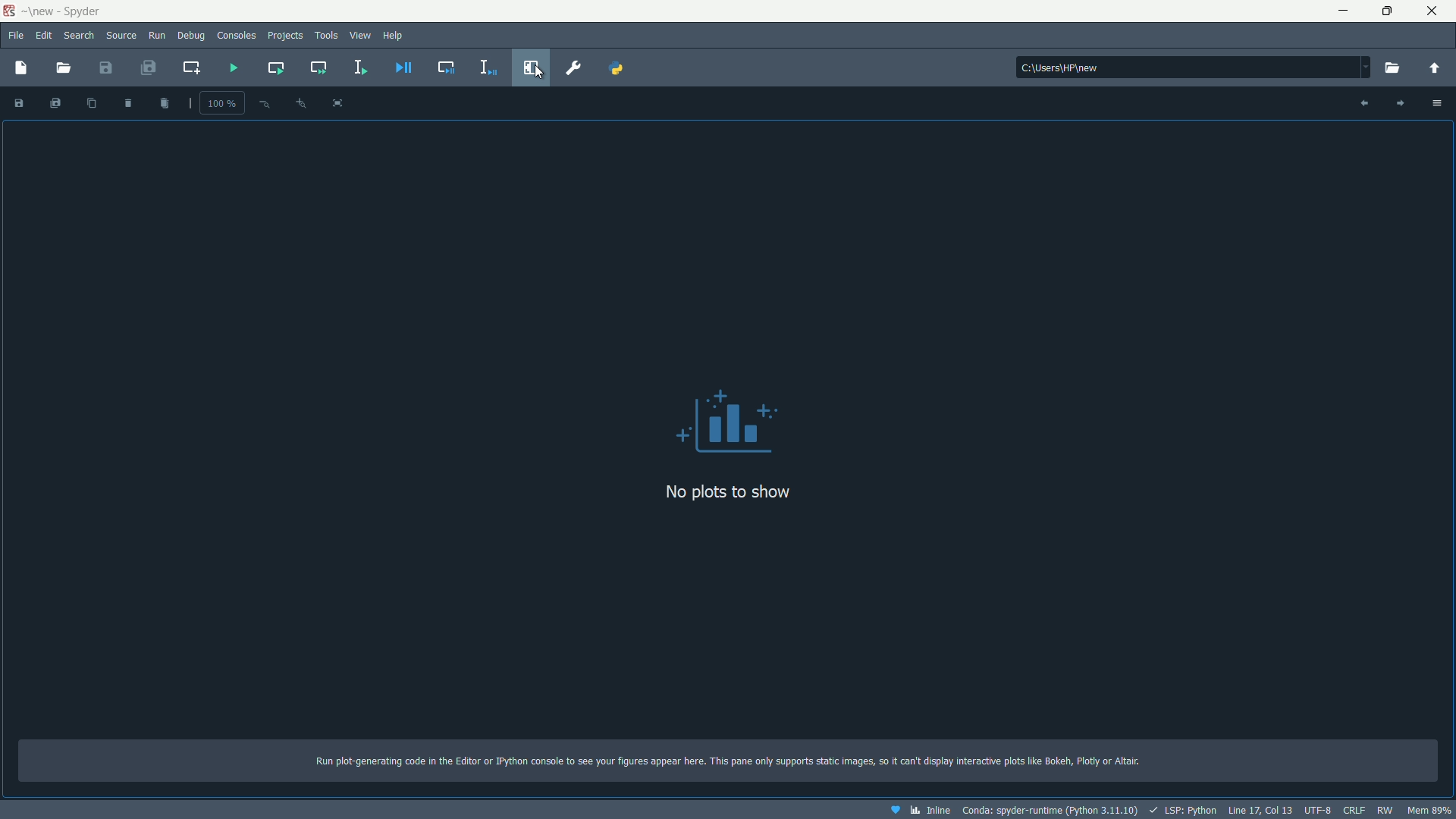  What do you see at coordinates (17, 102) in the screenshot?
I see `save plot as` at bounding box center [17, 102].